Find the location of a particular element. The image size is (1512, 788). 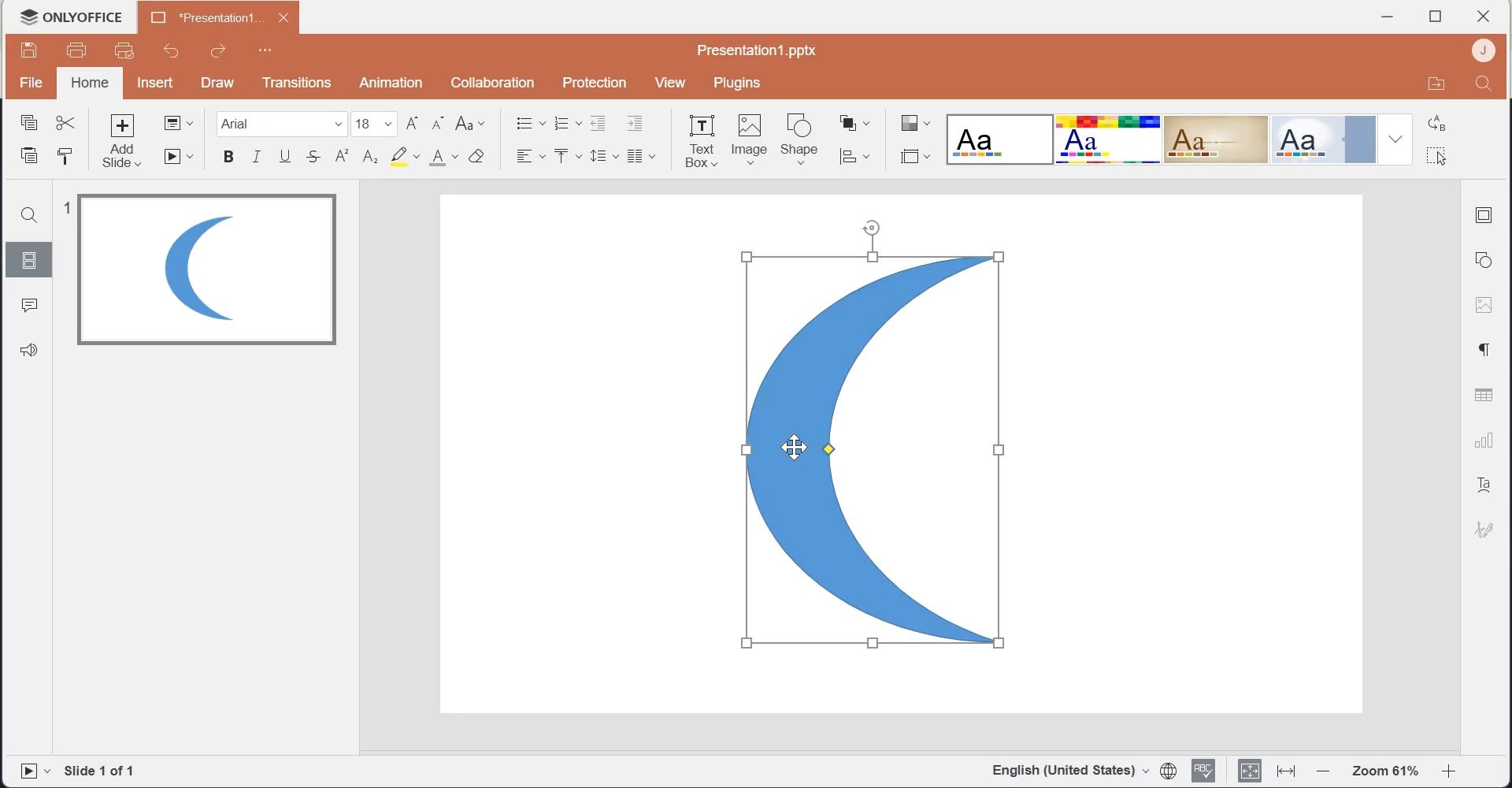

Slide 1 of 1 is located at coordinates (105, 771).